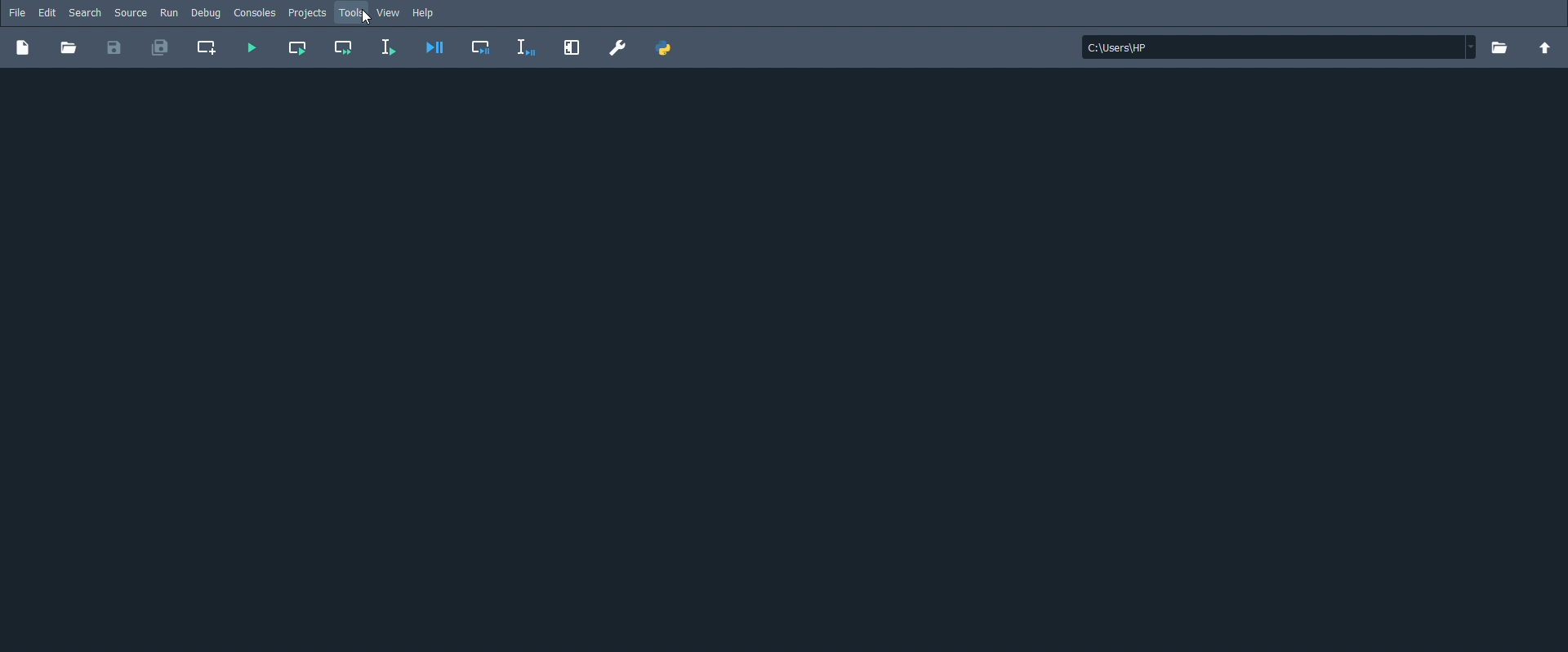 The width and height of the screenshot is (1568, 652). I want to click on Projects, so click(308, 14).